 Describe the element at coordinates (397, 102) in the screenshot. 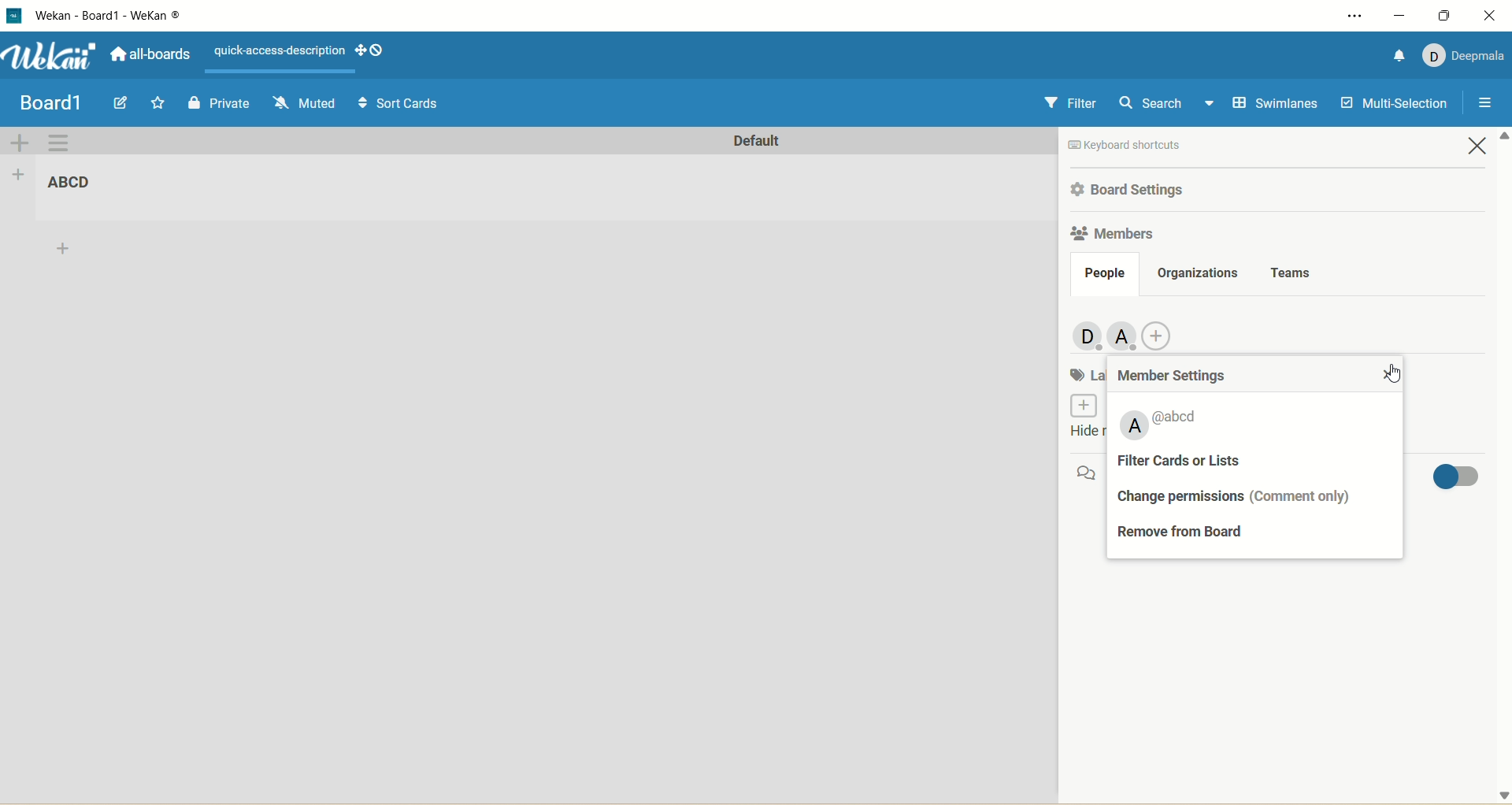

I see `Sort Cards` at that location.